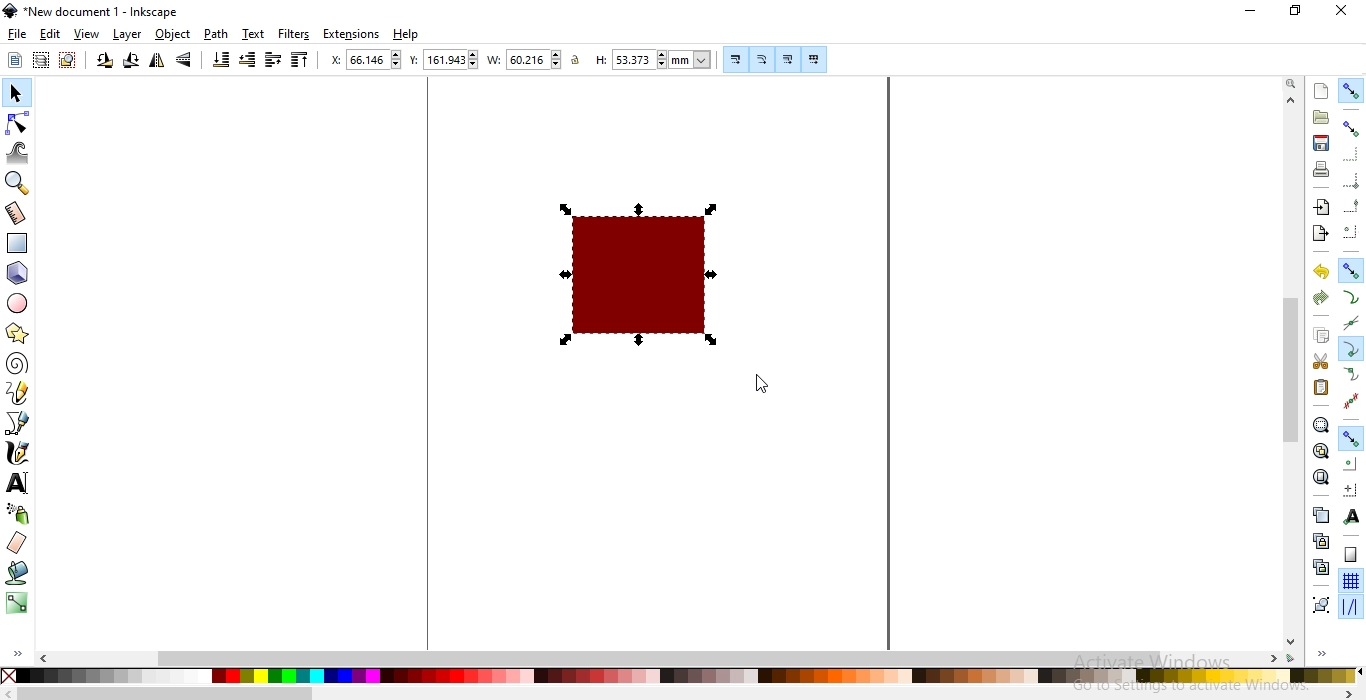  What do you see at coordinates (1352, 183) in the screenshot?
I see `snap bounding box corners` at bounding box center [1352, 183].